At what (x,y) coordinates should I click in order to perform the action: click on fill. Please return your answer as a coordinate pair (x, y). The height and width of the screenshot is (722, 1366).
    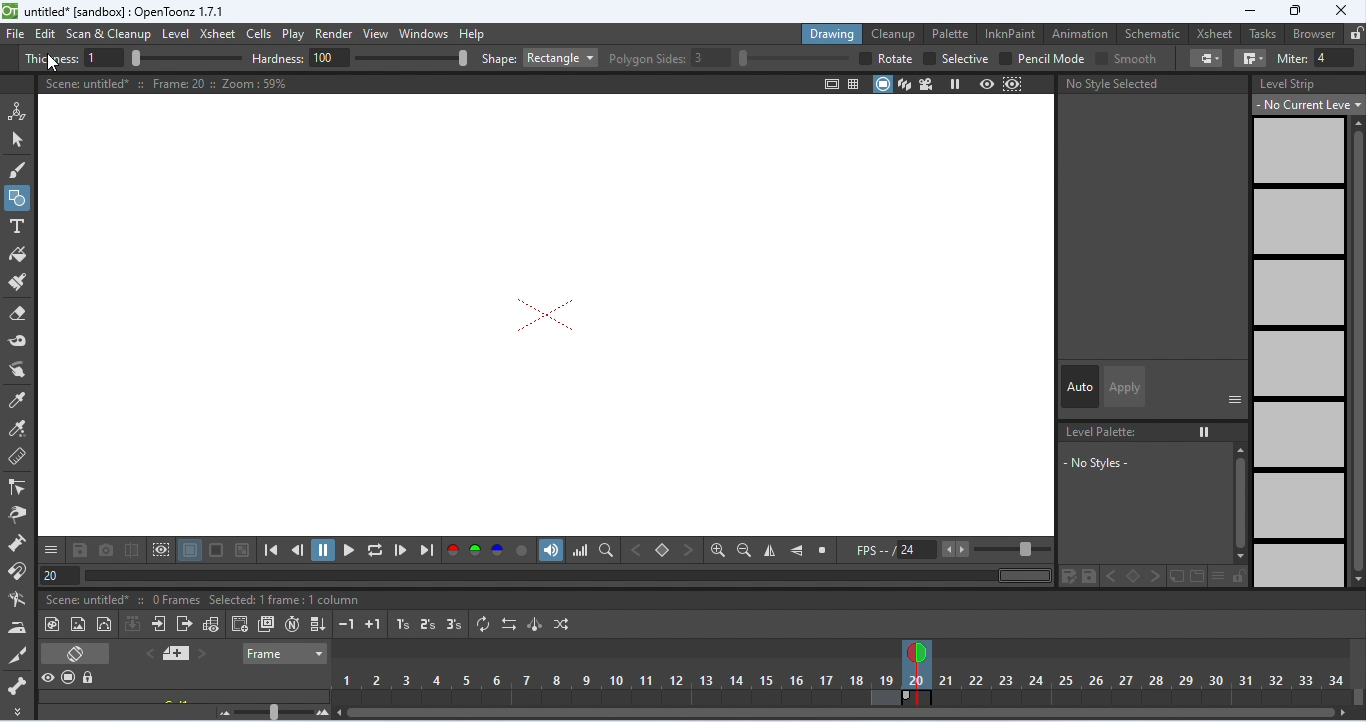
    Looking at the image, I should click on (16, 253).